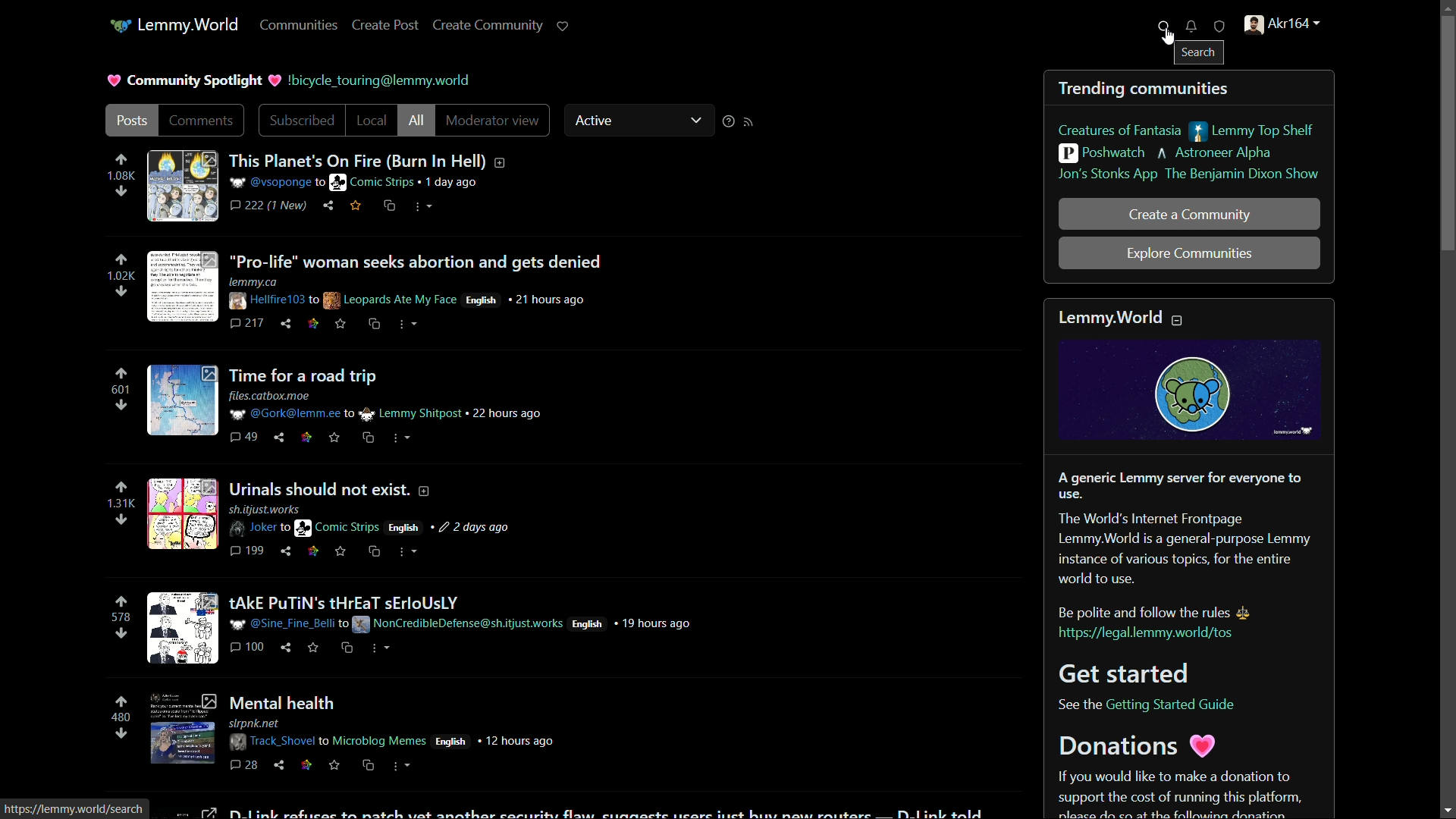 This screenshot has height=819, width=1456. Describe the element at coordinates (488, 26) in the screenshot. I see `create community` at that location.